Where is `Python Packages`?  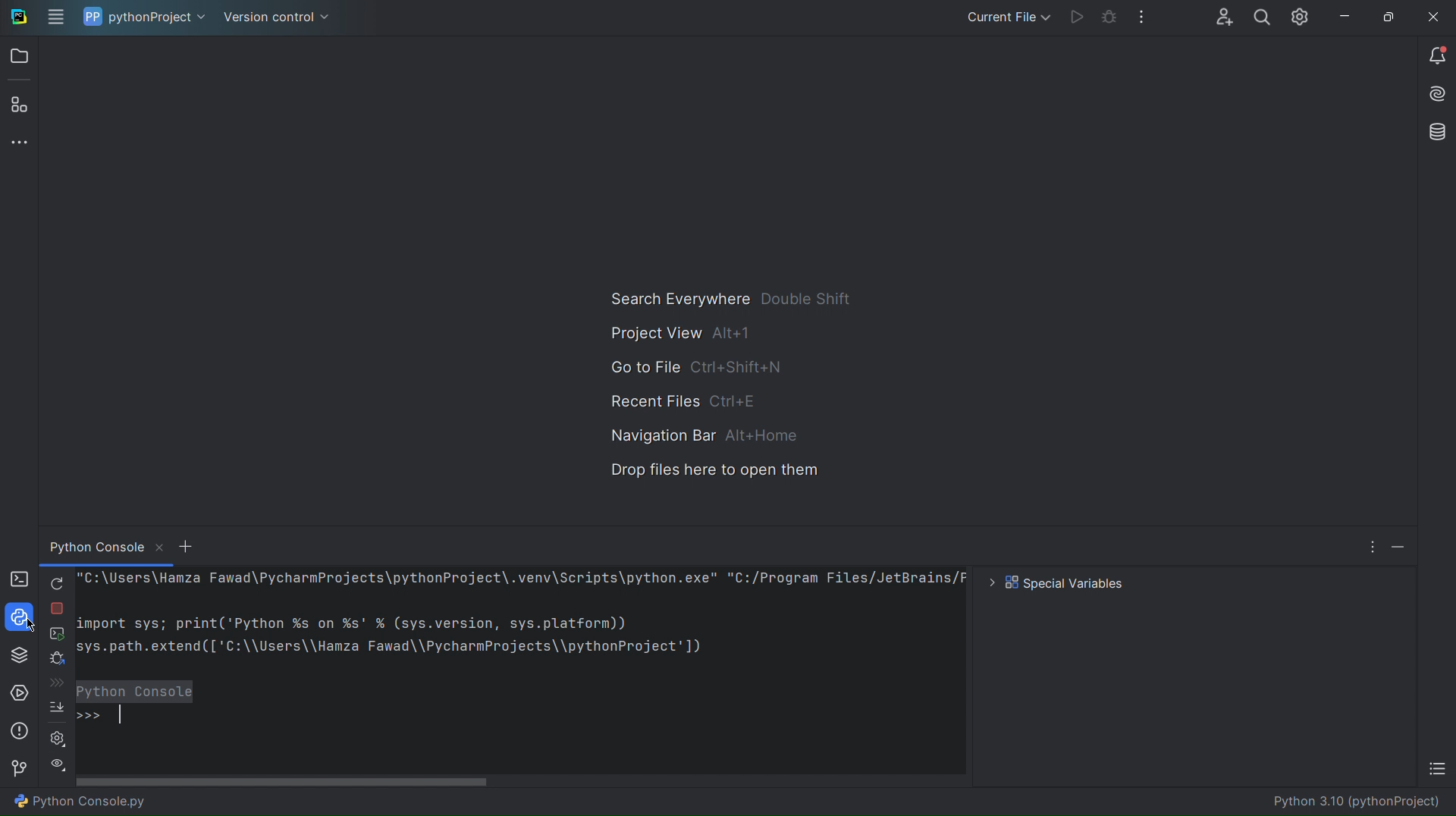 Python Packages is located at coordinates (20, 656).